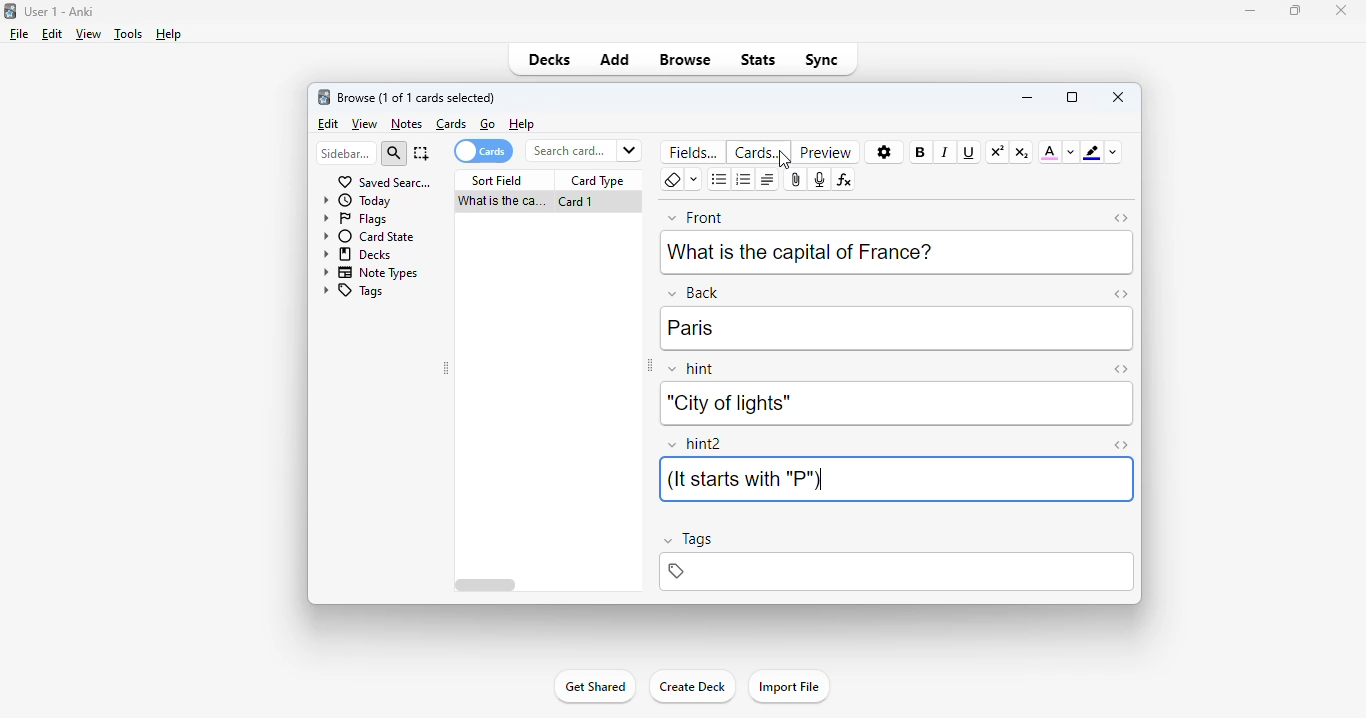  Describe the element at coordinates (582, 150) in the screenshot. I see `search bar` at that location.